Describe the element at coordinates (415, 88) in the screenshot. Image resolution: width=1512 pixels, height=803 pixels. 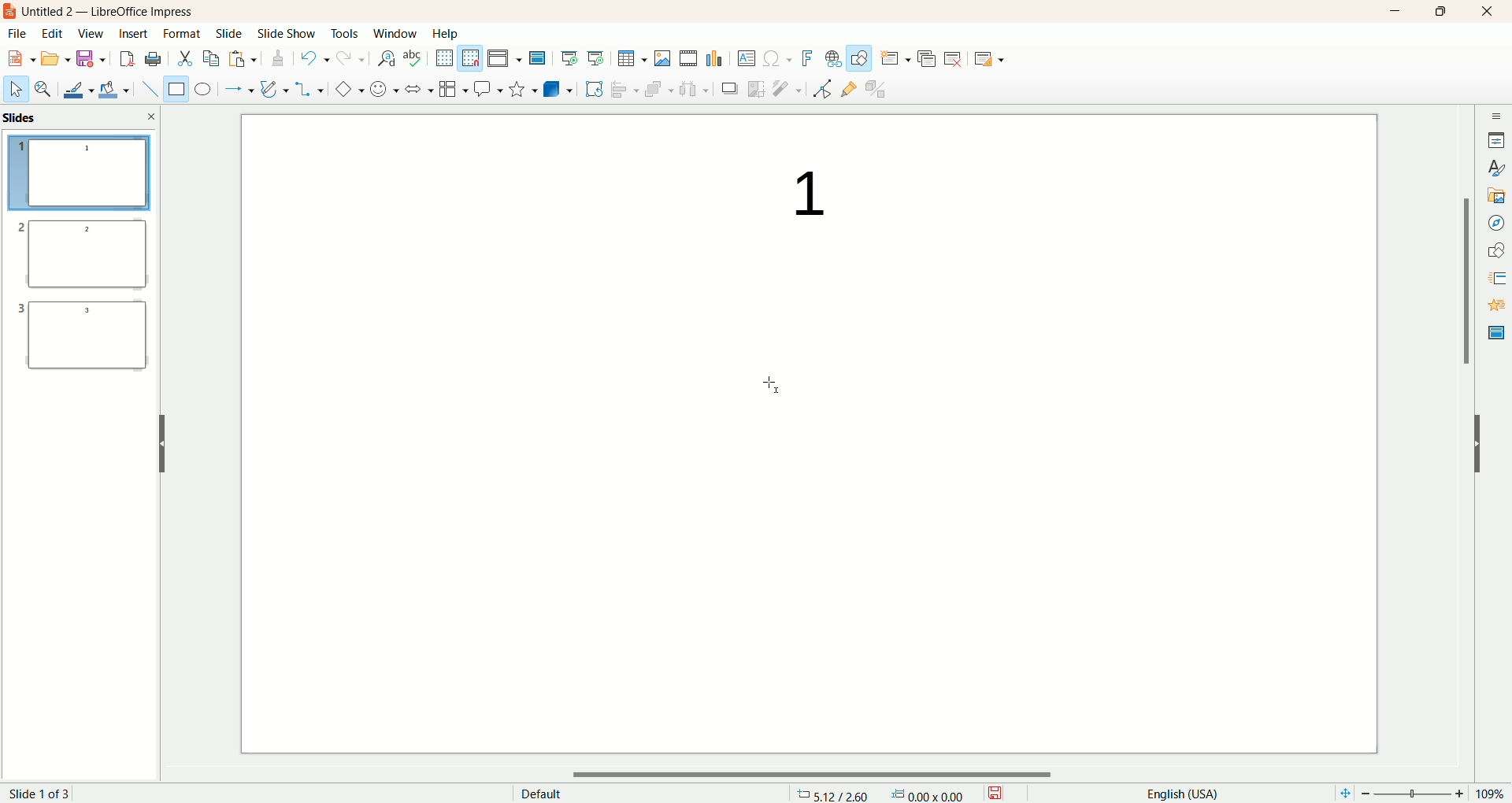
I see `block arrow` at that location.